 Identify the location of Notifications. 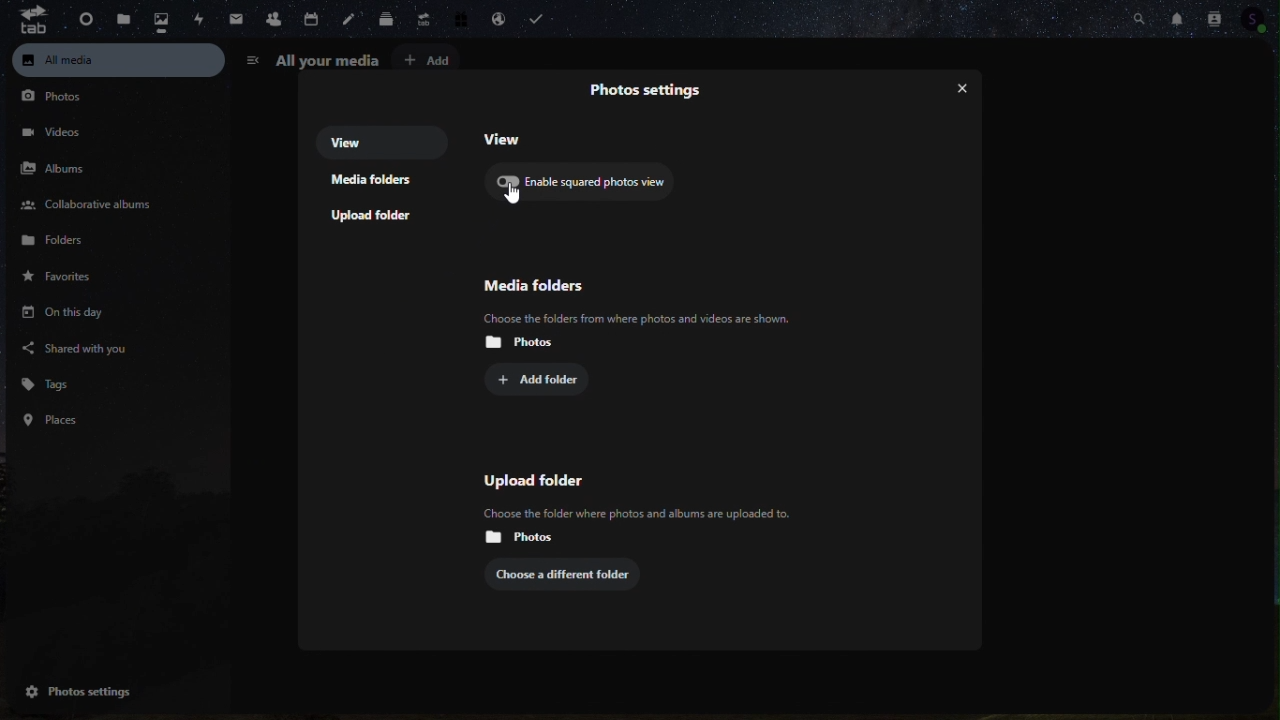
(1179, 16).